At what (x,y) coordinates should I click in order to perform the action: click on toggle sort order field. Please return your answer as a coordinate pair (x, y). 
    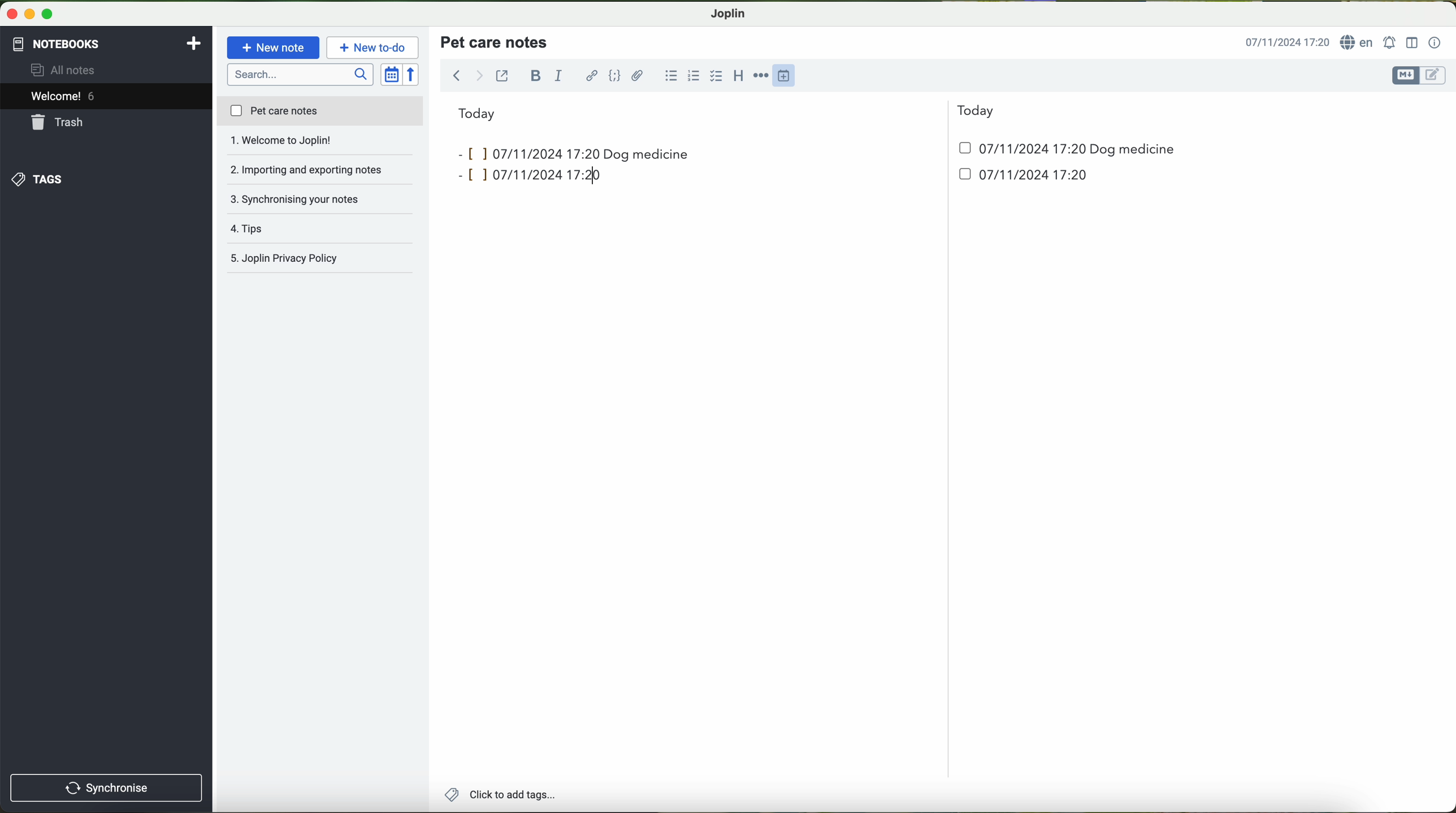
    Looking at the image, I should click on (392, 75).